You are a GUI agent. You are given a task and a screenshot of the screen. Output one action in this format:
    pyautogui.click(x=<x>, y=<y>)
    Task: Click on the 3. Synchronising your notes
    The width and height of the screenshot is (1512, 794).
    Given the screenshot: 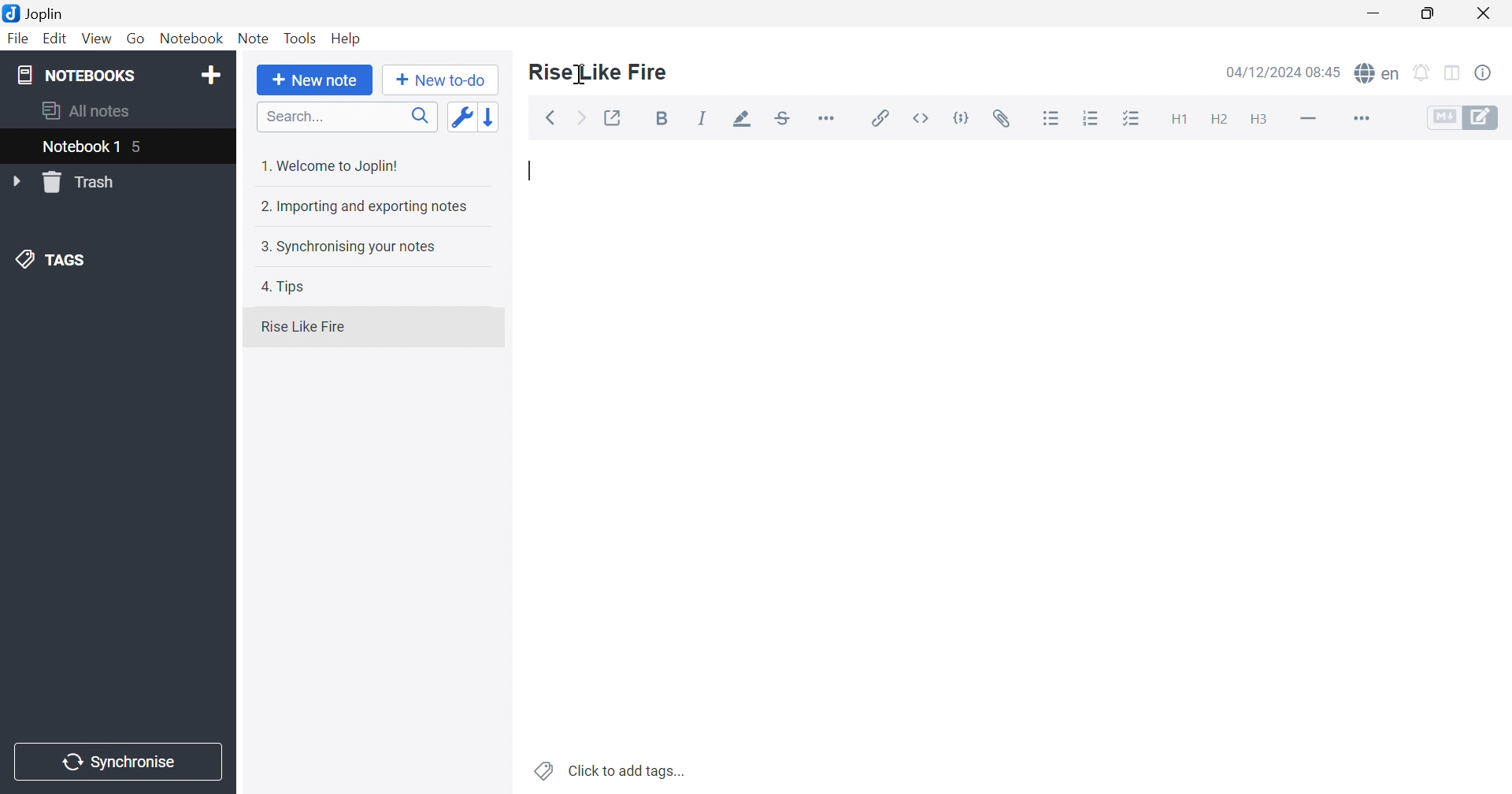 What is the action you would take?
    pyautogui.click(x=353, y=248)
    